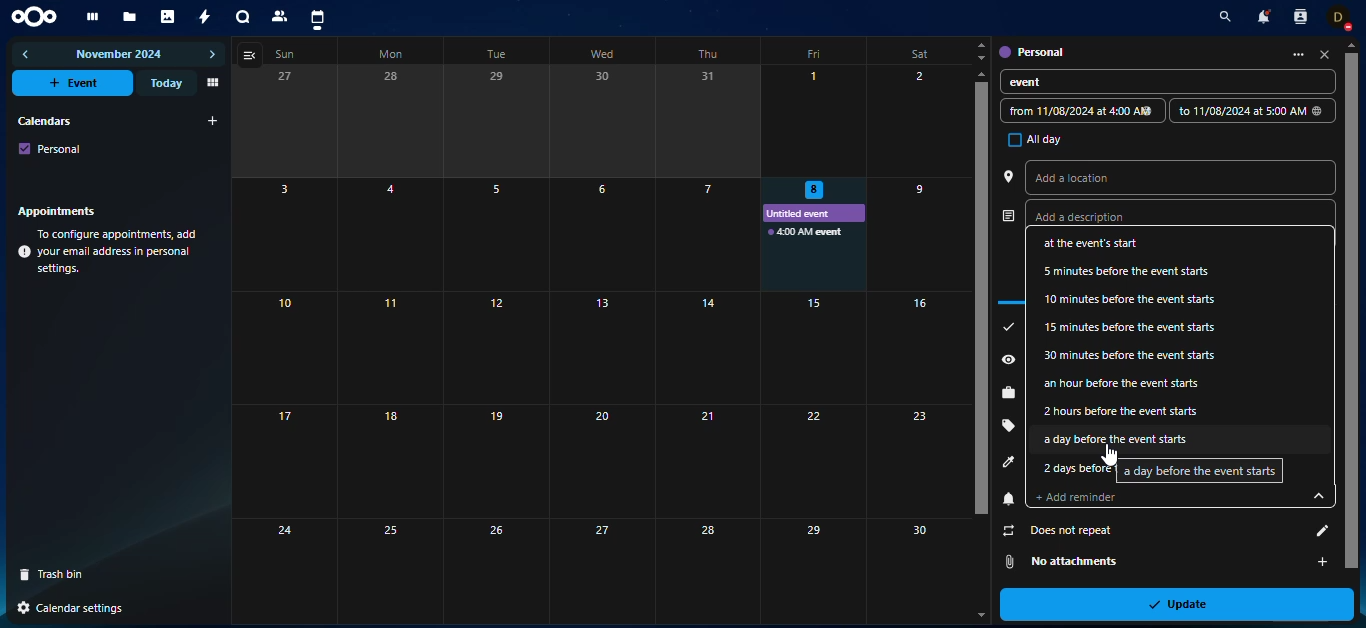 The width and height of the screenshot is (1366, 628). Describe the element at coordinates (1127, 300) in the screenshot. I see `10 min` at that location.